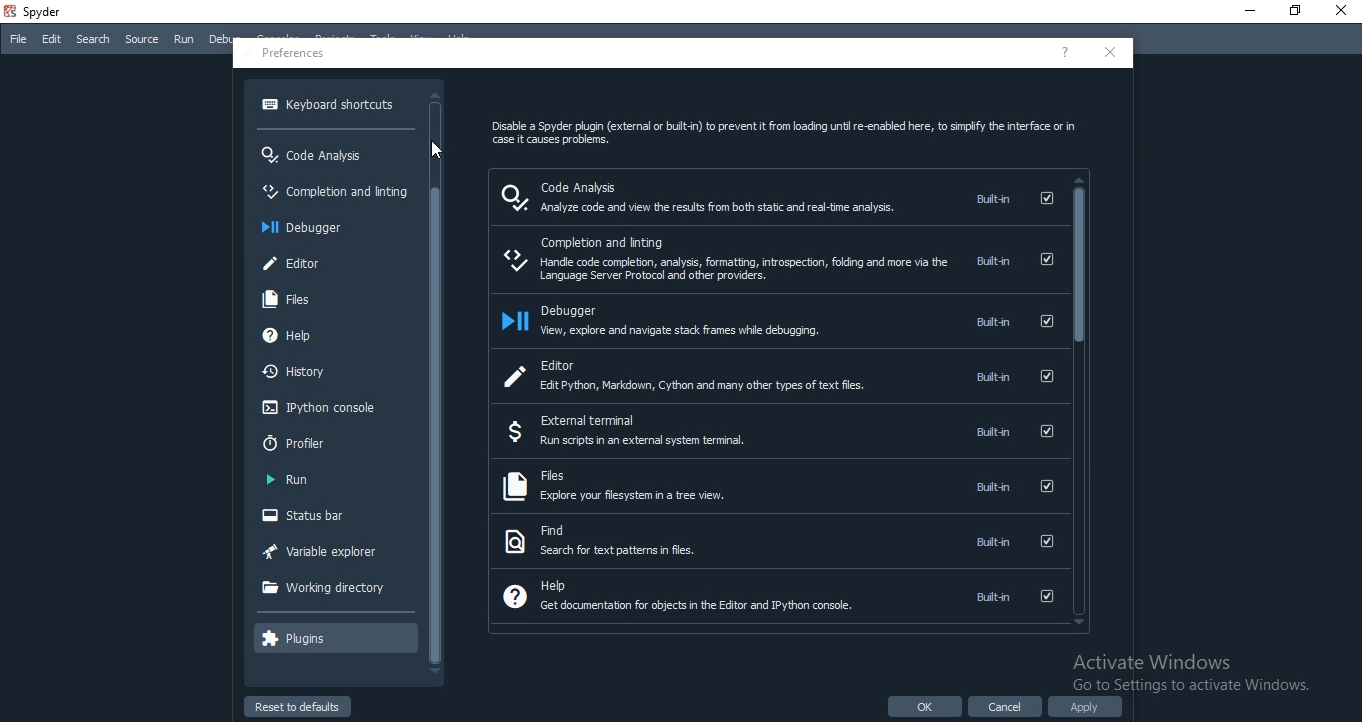 The height and width of the screenshot is (722, 1362). I want to click on status bar, so click(334, 516).